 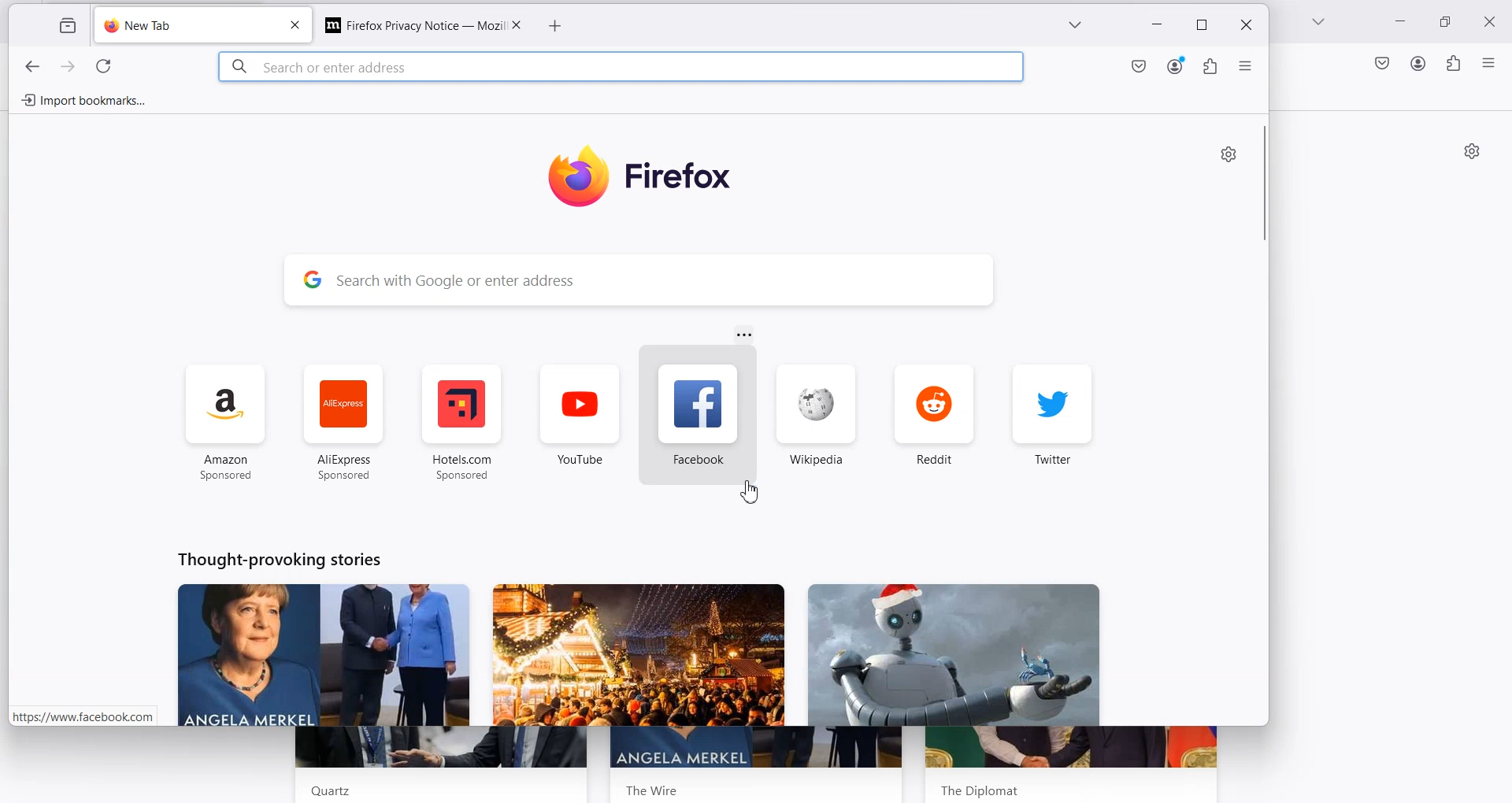 I want to click on Firefox Privacy Notice, so click(x=406, y=24).